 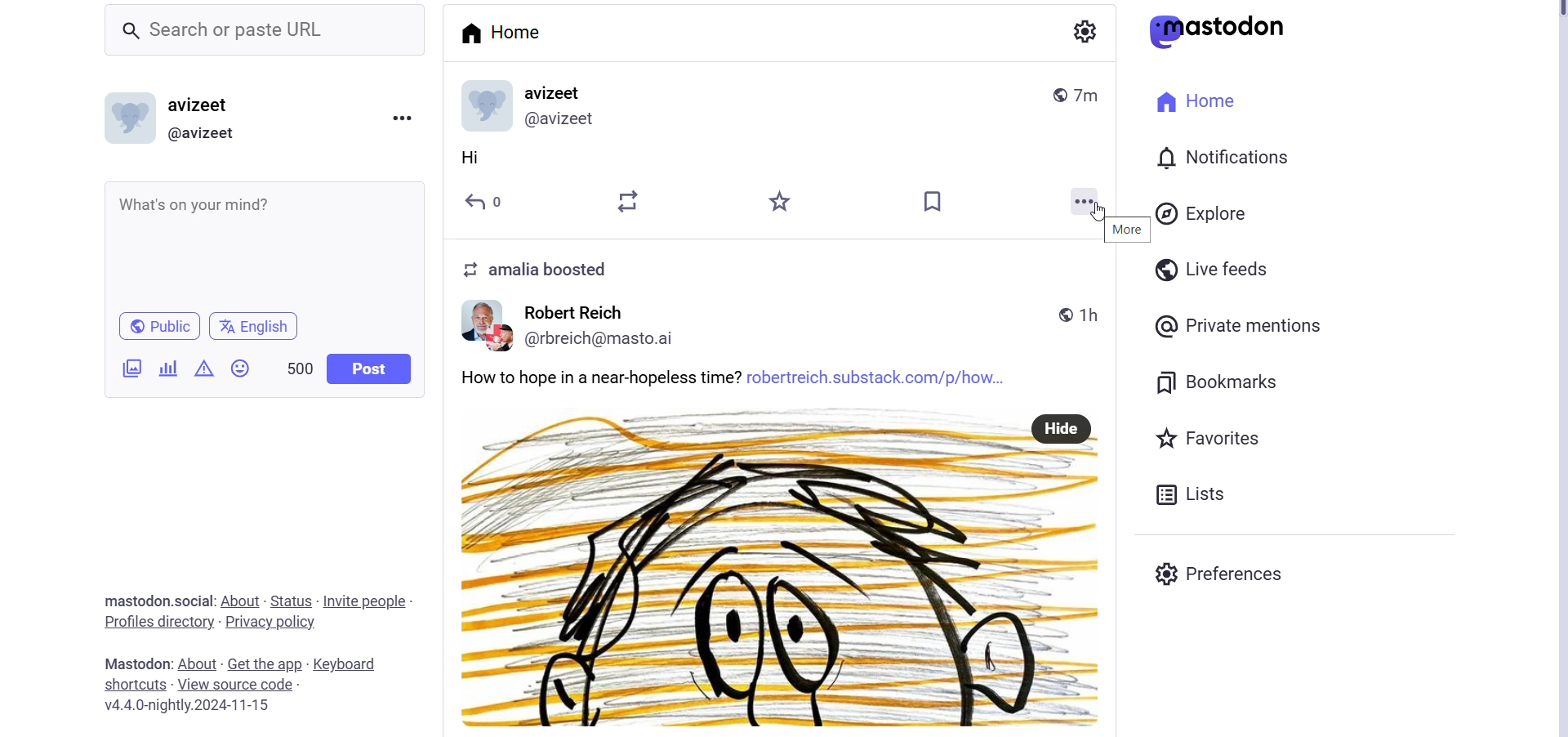 I want to click on View Source Code, so click(x=235, y=683).